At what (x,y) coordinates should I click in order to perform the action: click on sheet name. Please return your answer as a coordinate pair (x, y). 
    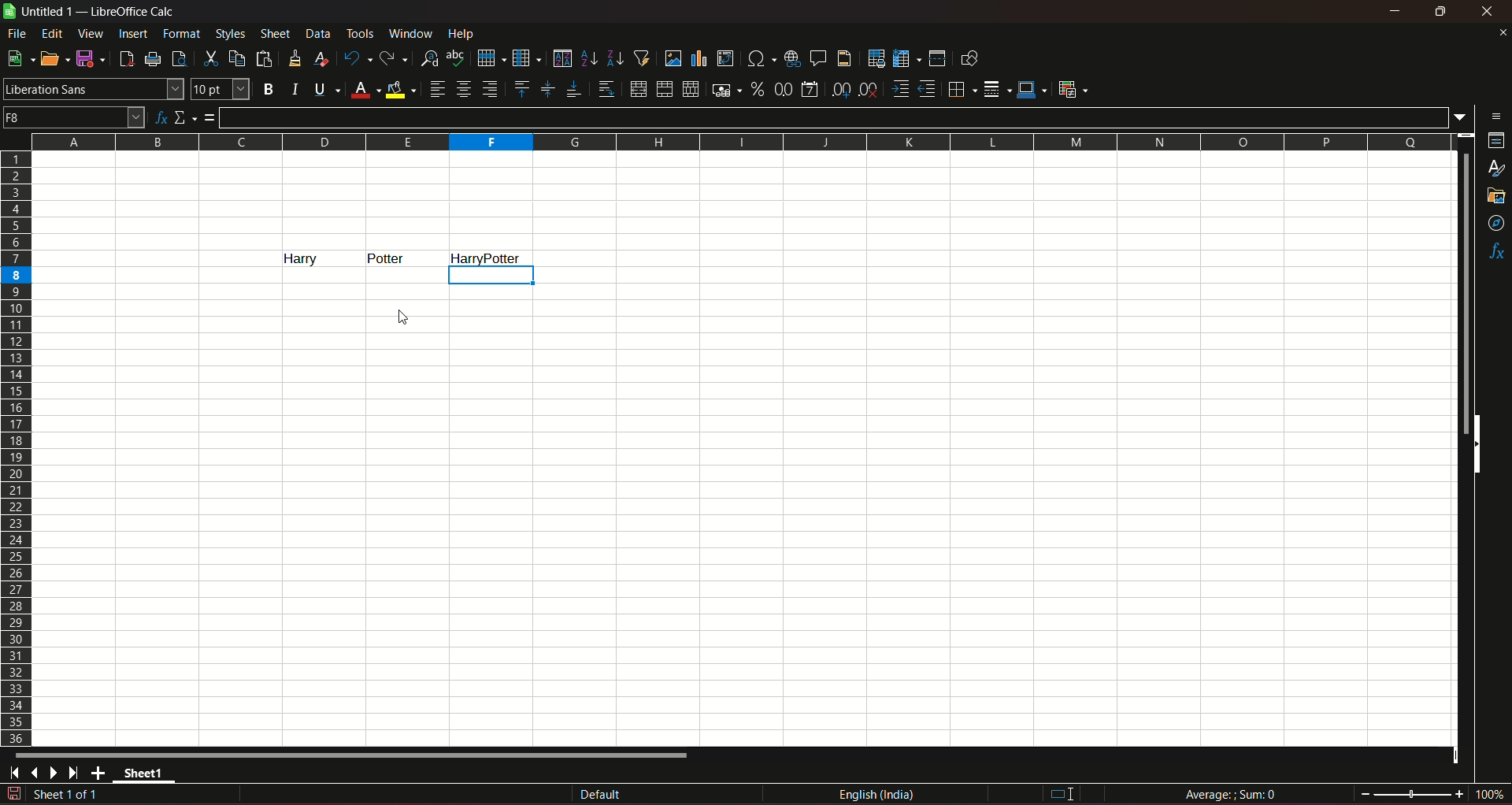
    Looking at the image, I should click on (44, 13).